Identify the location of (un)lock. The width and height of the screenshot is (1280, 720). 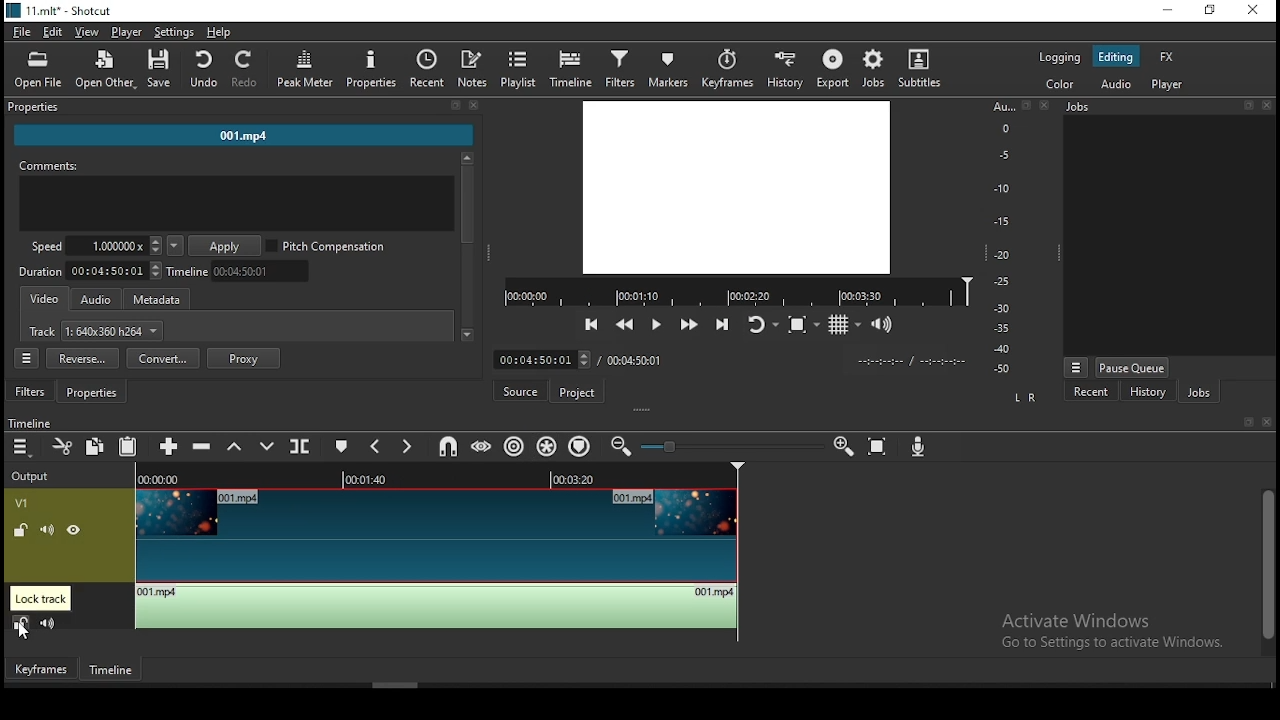
(20, 622).